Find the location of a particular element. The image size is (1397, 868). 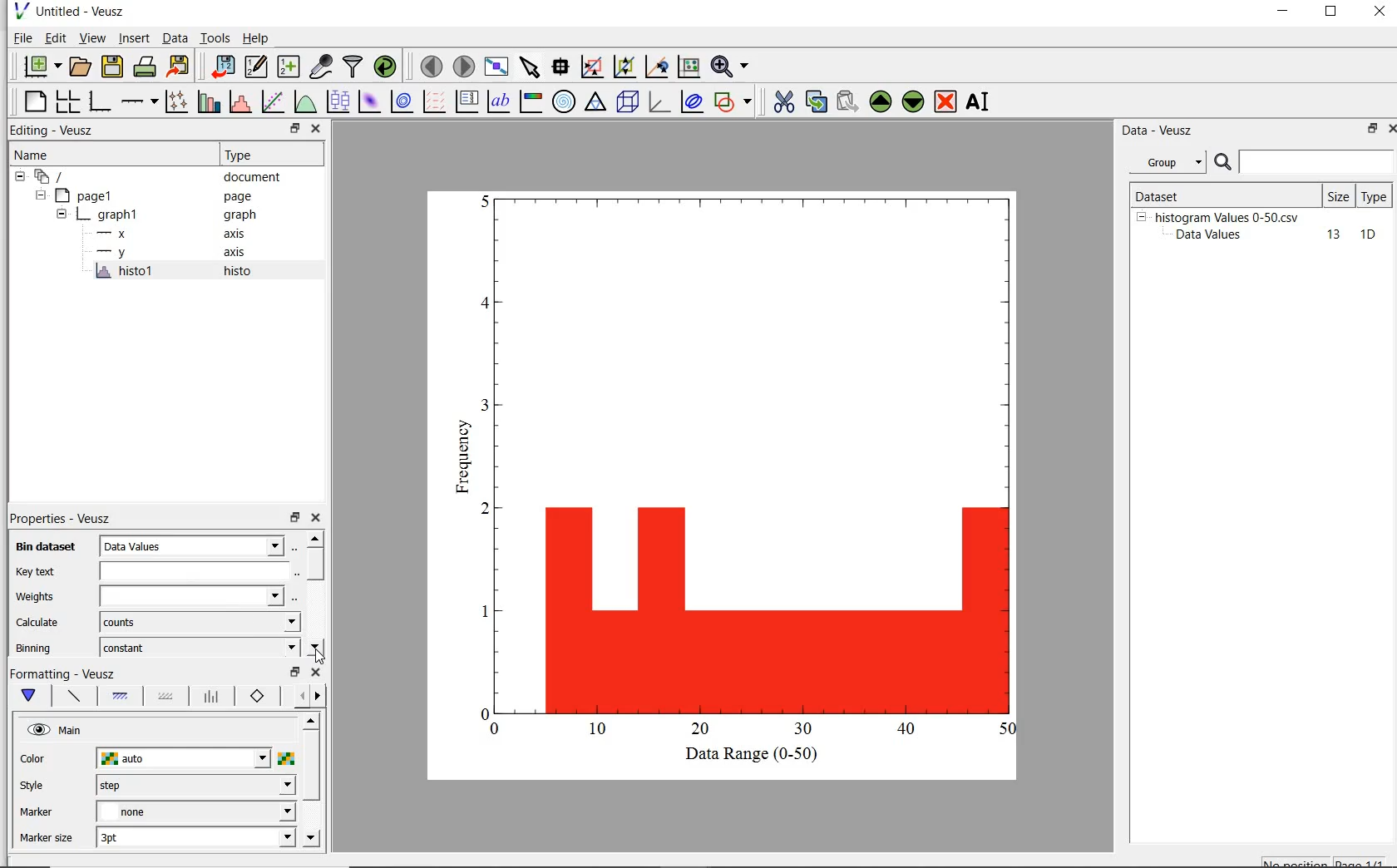

filter data is located at coordinates (353, 67).